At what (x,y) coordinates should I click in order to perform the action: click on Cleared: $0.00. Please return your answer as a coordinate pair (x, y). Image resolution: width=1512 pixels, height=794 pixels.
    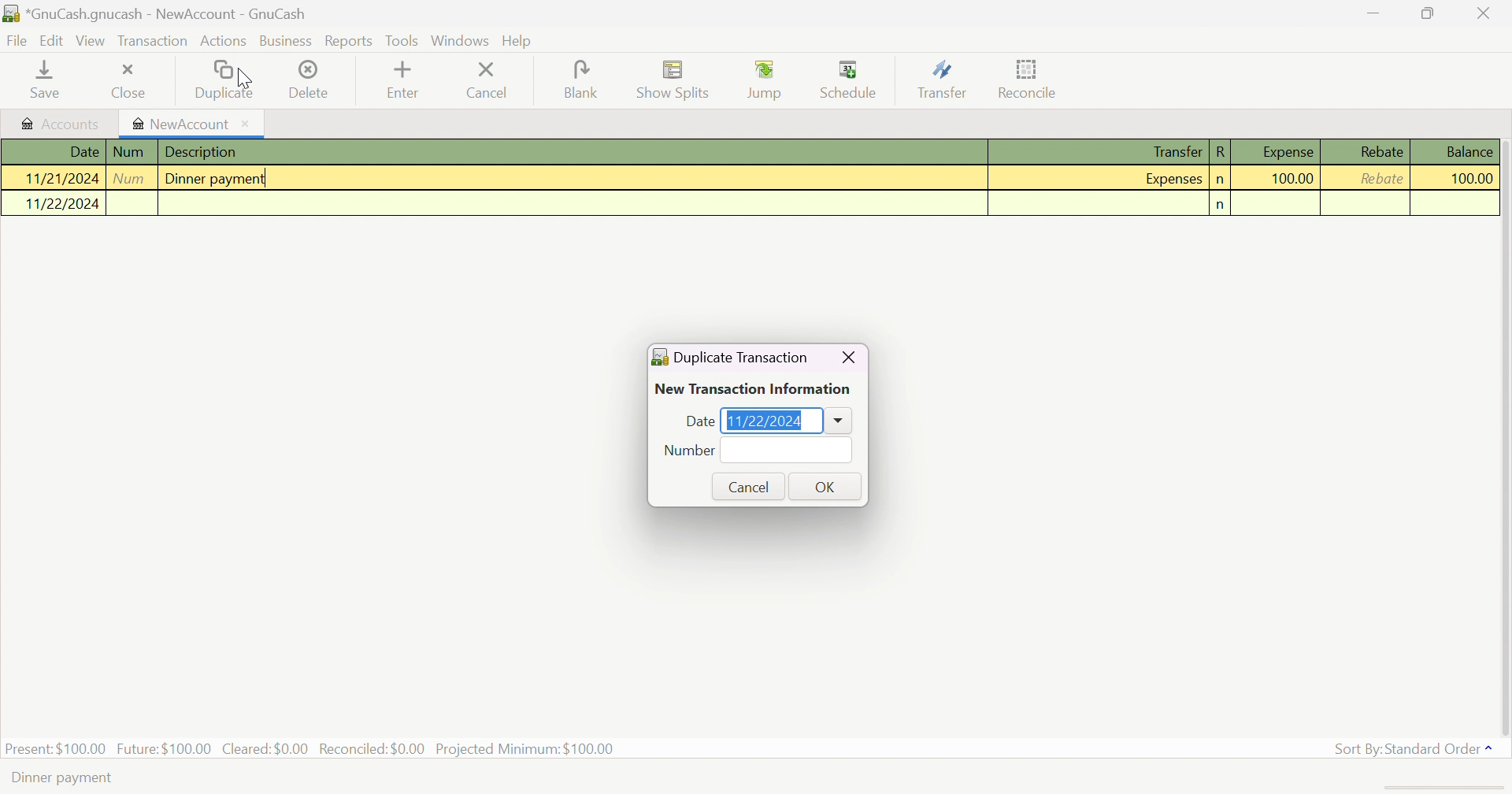
    Looking at the image, I should click on (267, 748).